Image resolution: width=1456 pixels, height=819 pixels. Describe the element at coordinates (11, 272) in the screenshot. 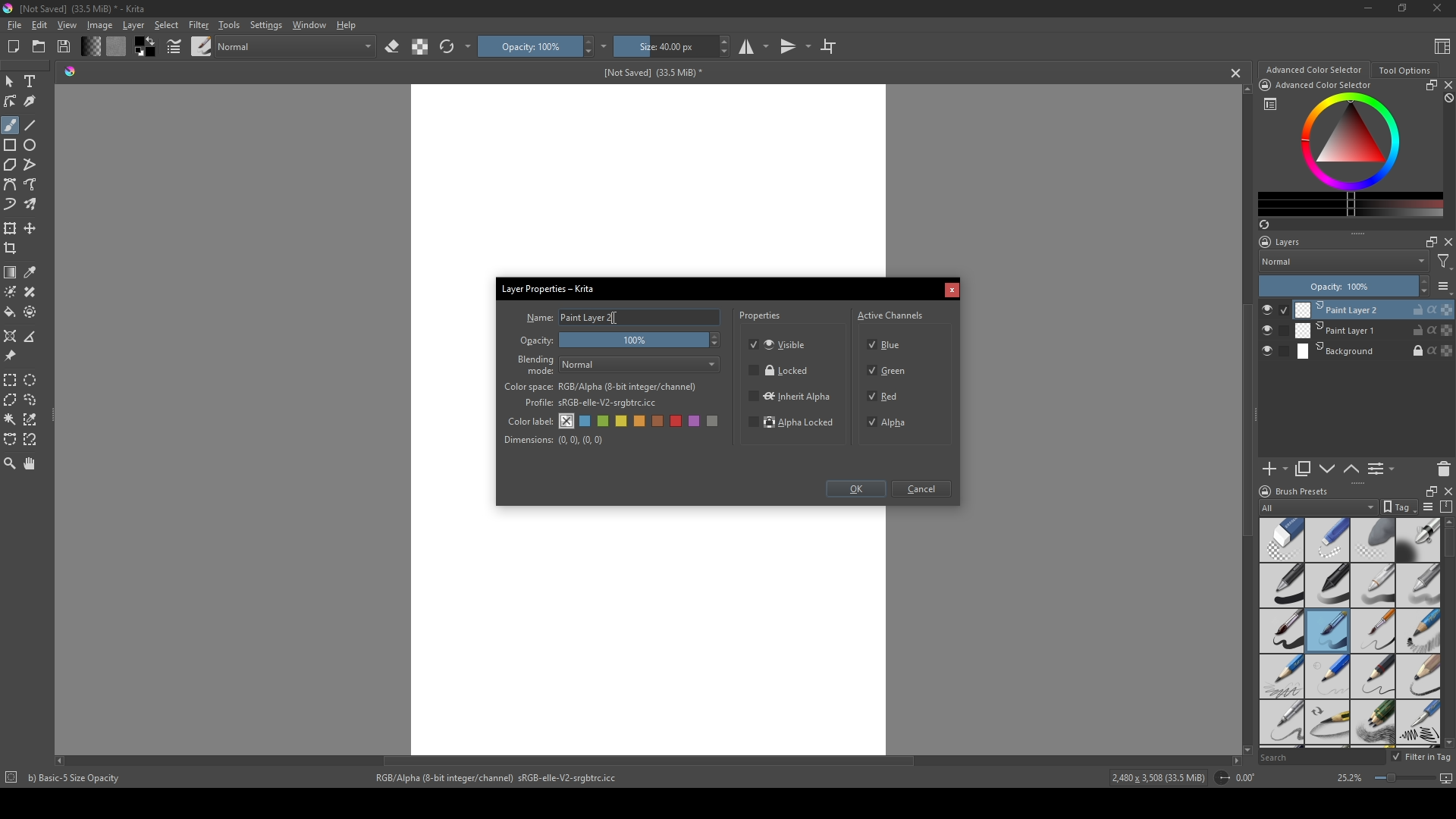

I see `gradient` at that location.